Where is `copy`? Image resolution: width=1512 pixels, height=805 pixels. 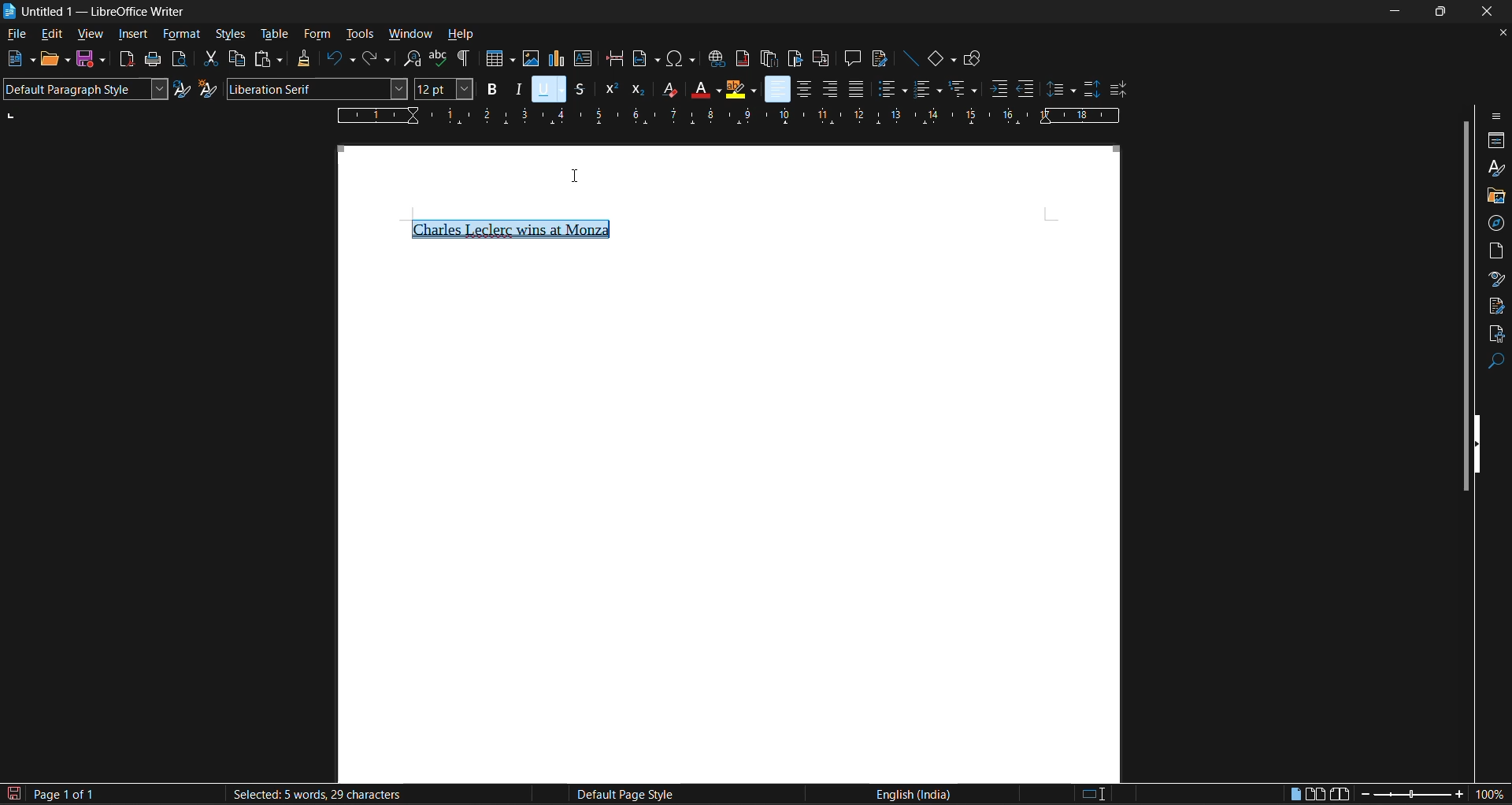 copy is located at coordinates (235, 58).